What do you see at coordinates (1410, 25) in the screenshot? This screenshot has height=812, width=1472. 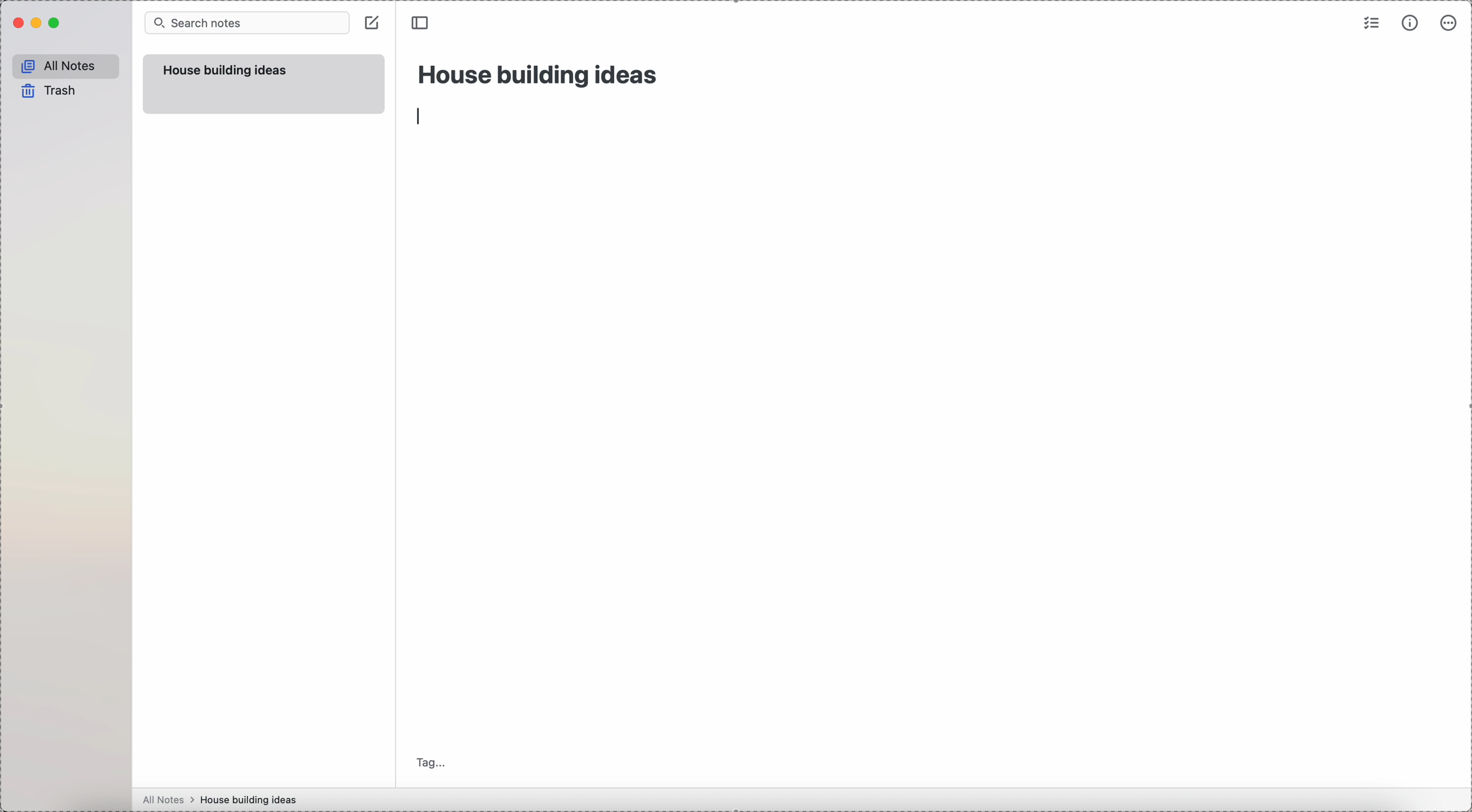 I see `metrics` at bounding box center [1410, 25].